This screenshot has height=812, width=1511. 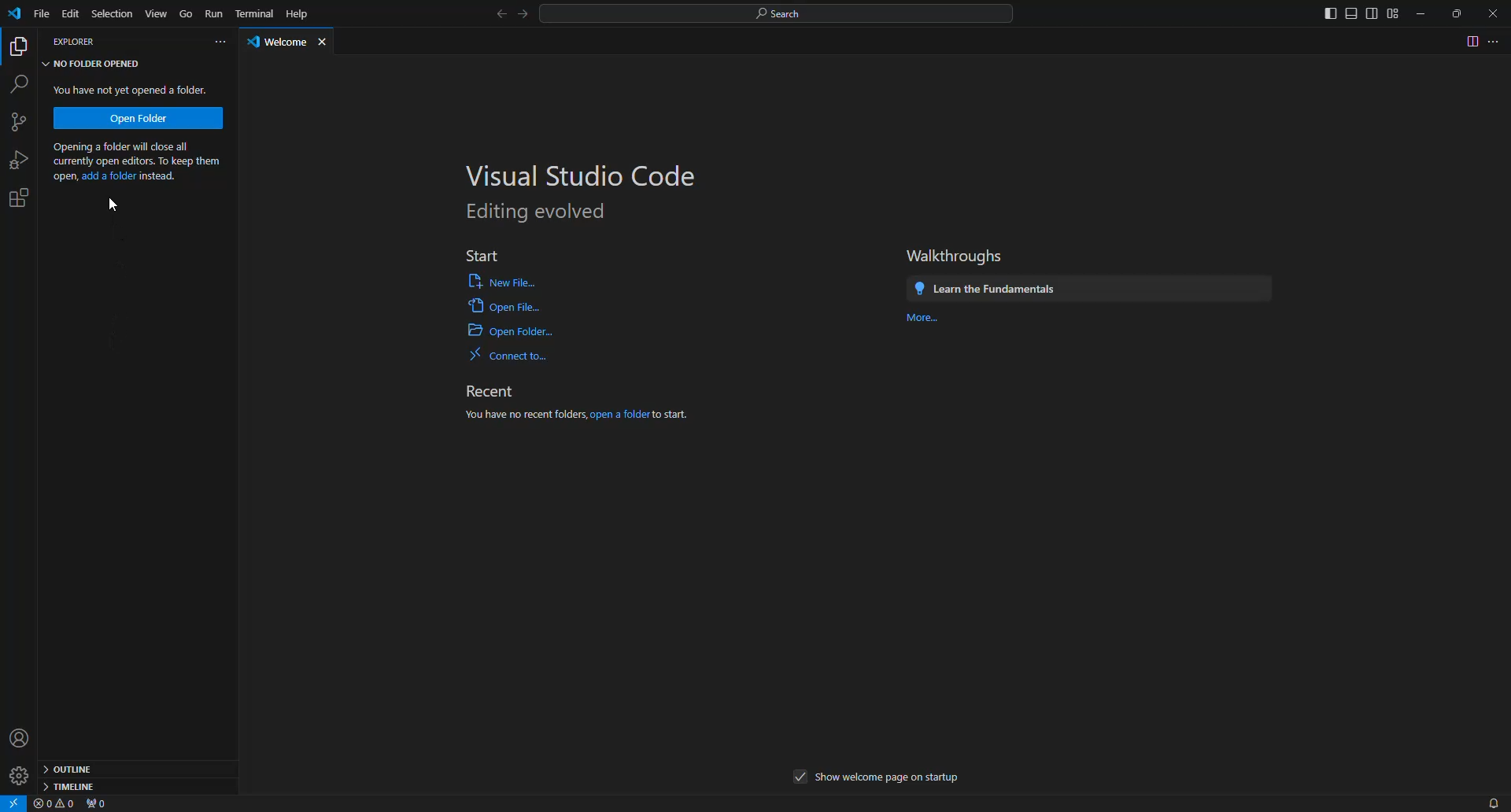 What do you see at coordinates (479, 252) in the screenshot?
I see `start` at bounding box center [479, 252].